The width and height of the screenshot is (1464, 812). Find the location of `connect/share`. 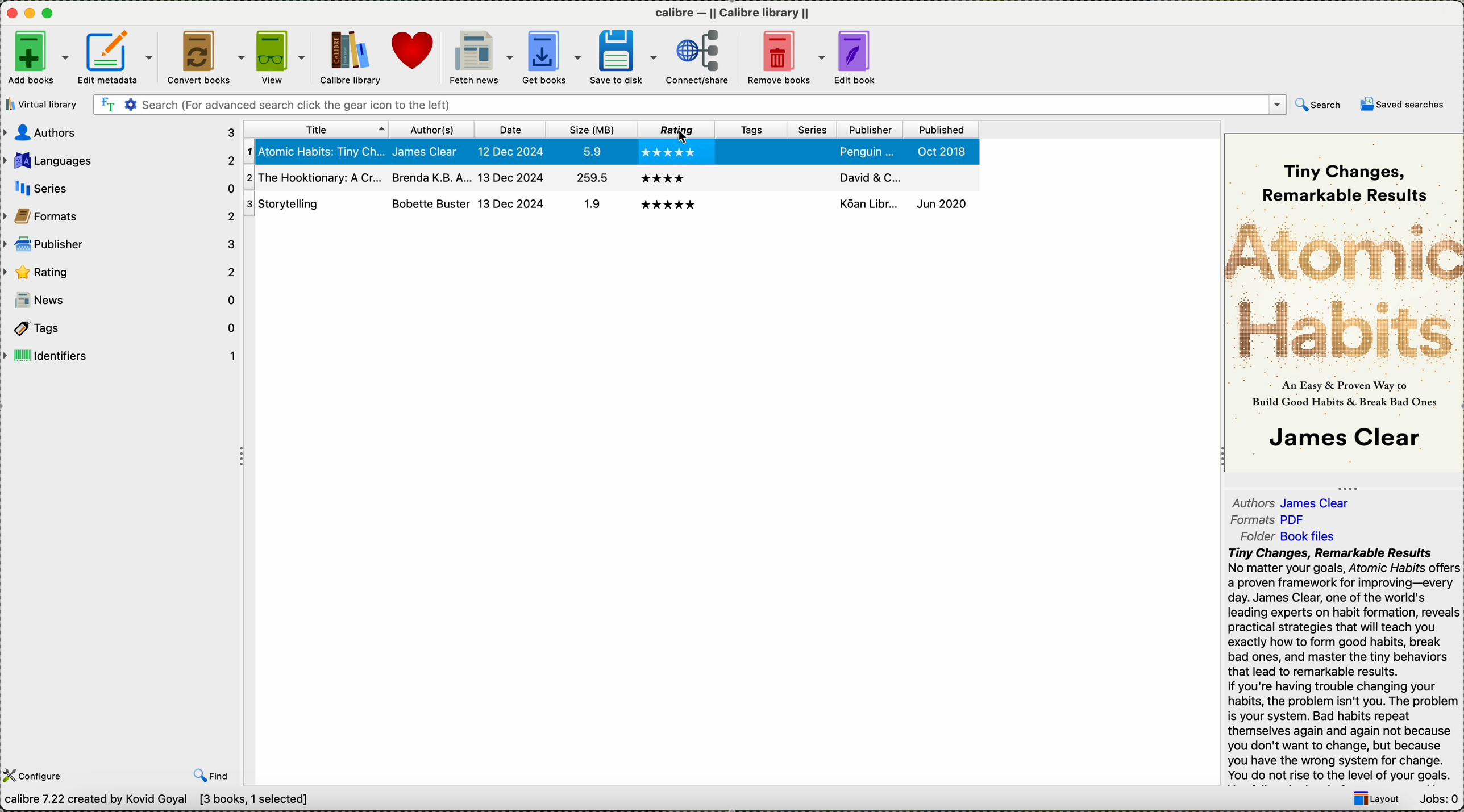

connect/share is located at coordinates (699, 59).